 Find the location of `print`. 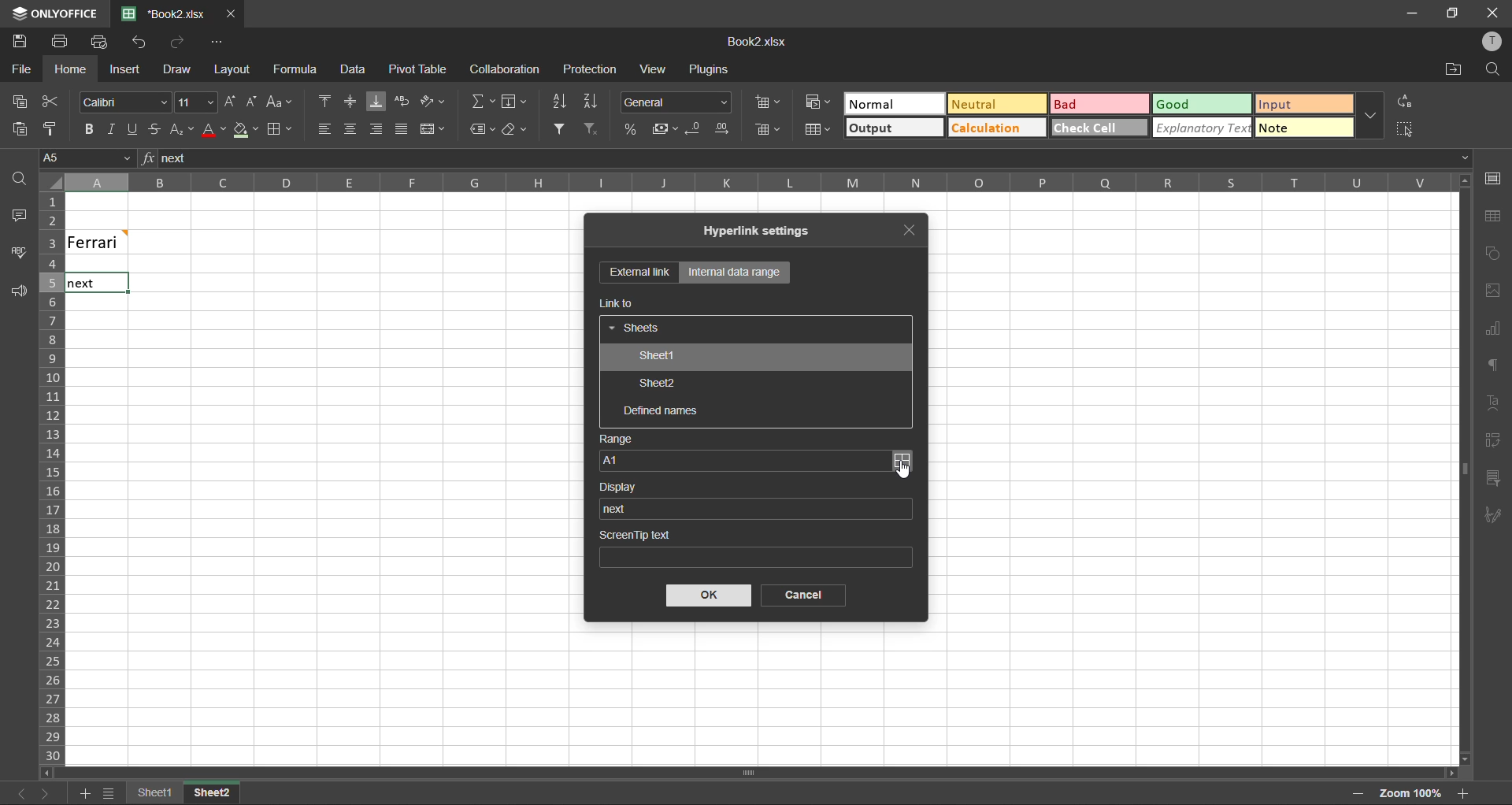

print is located at coordinates (61, 41).